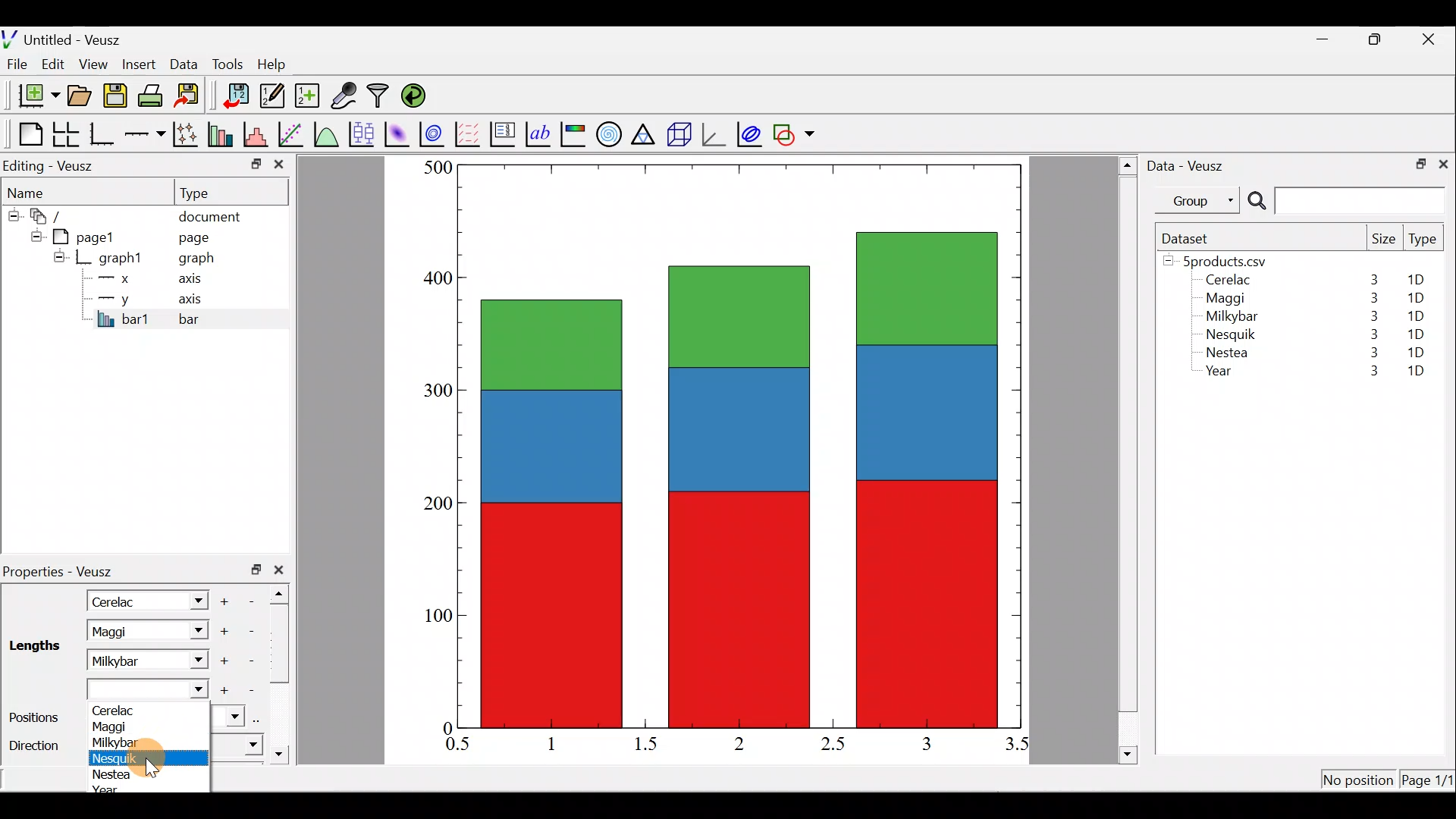  What do you see at coordinates (197, 300) in the screenshot?
I see `axis` at bounding box center [197, 300].